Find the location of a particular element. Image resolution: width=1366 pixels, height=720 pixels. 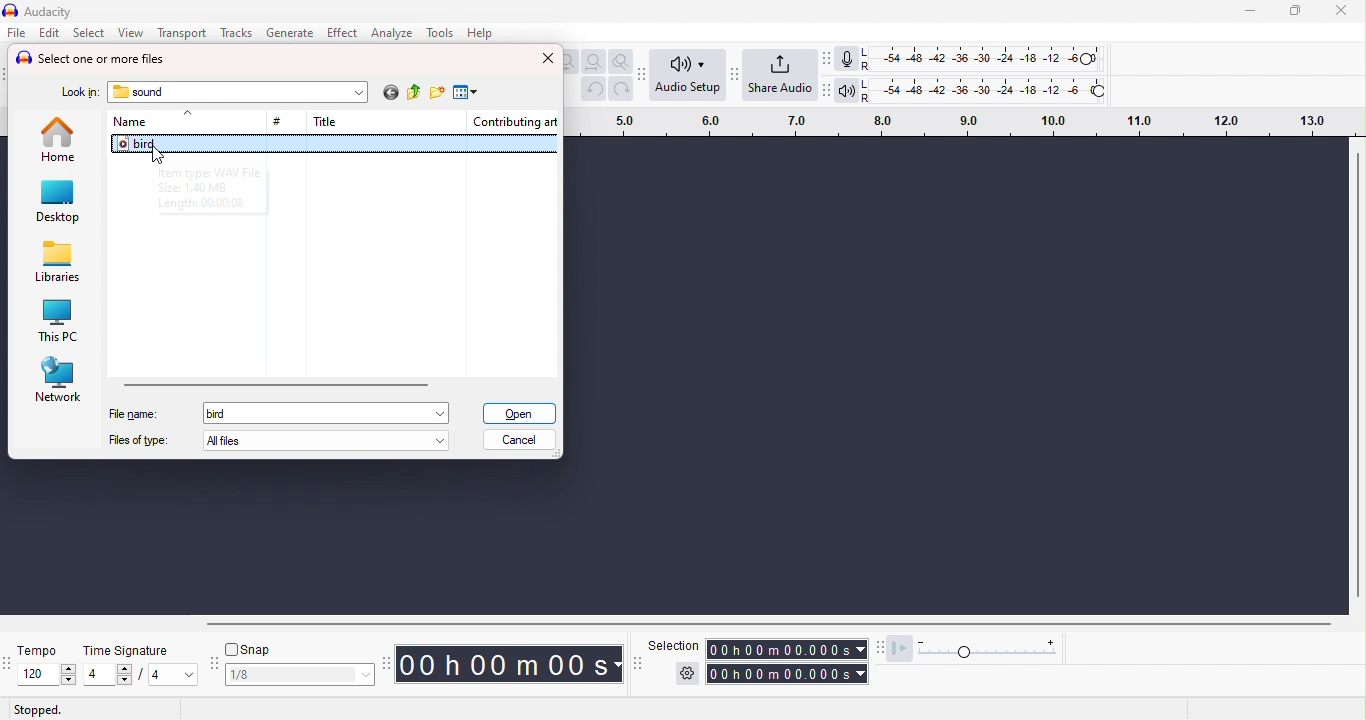

close is located at coordinates (1341, 11).